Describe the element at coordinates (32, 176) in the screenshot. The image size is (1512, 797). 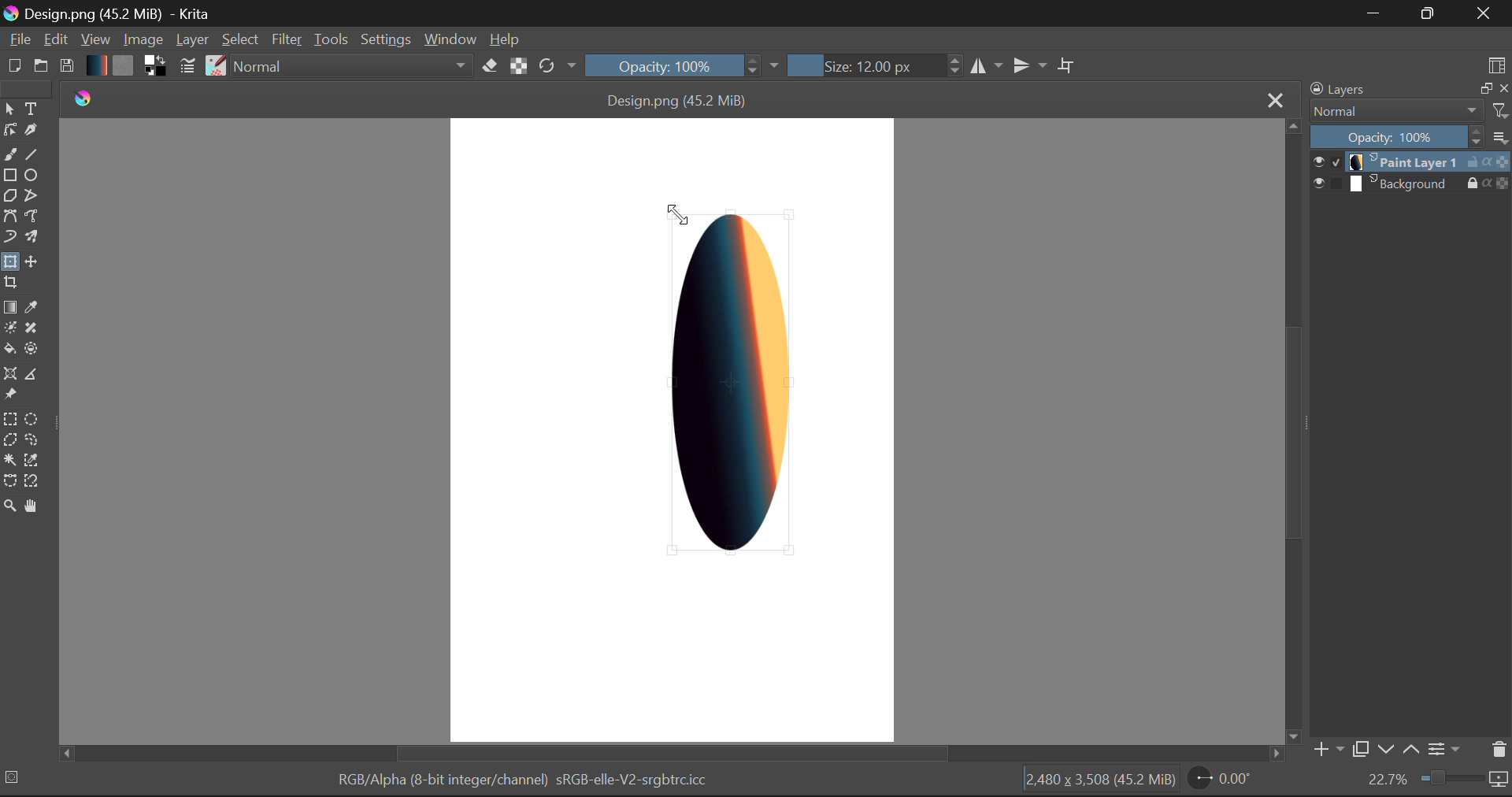
I see `Ellipses` at that location.